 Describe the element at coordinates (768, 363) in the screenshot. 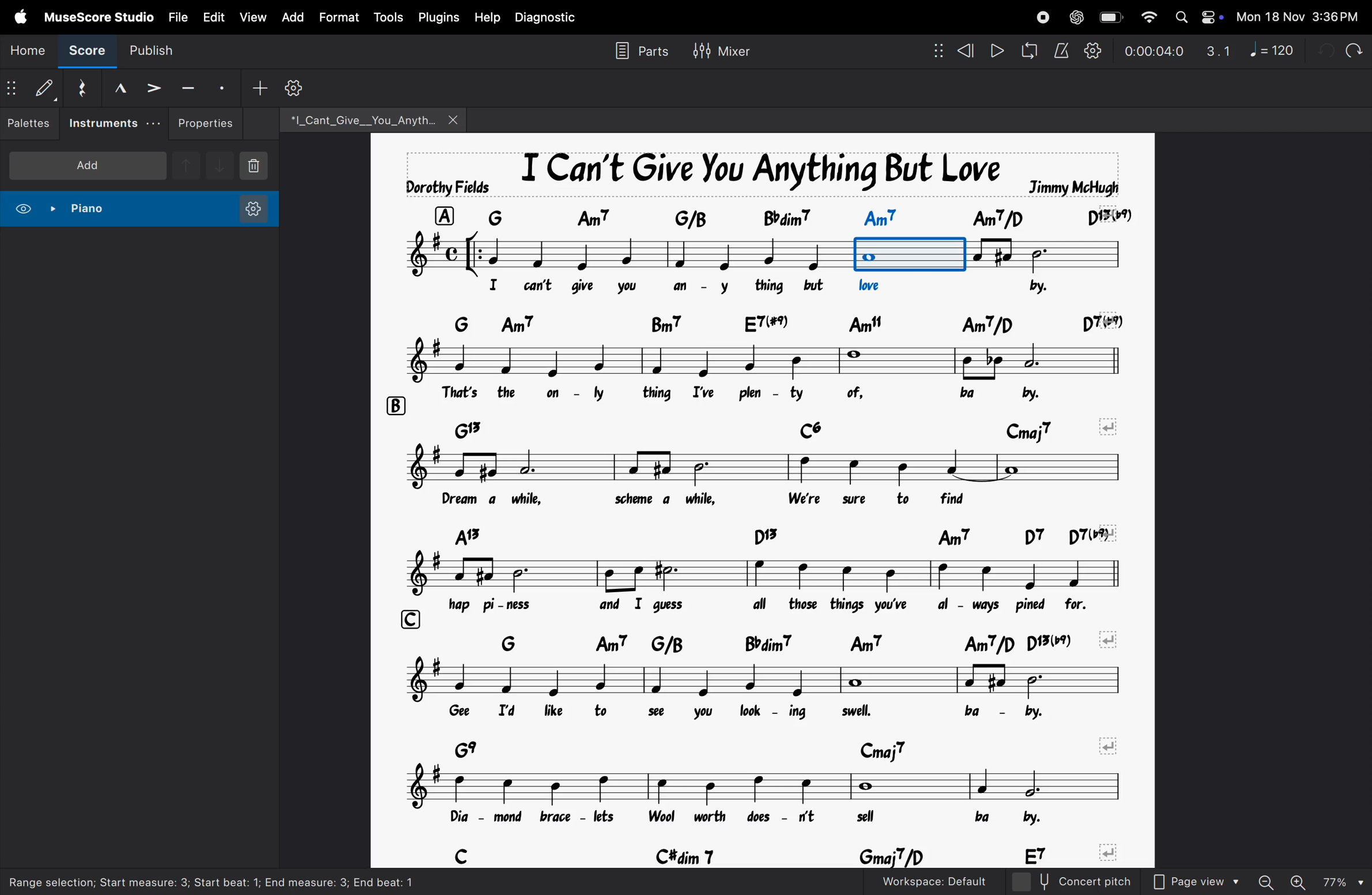

I see `notes` at that location.